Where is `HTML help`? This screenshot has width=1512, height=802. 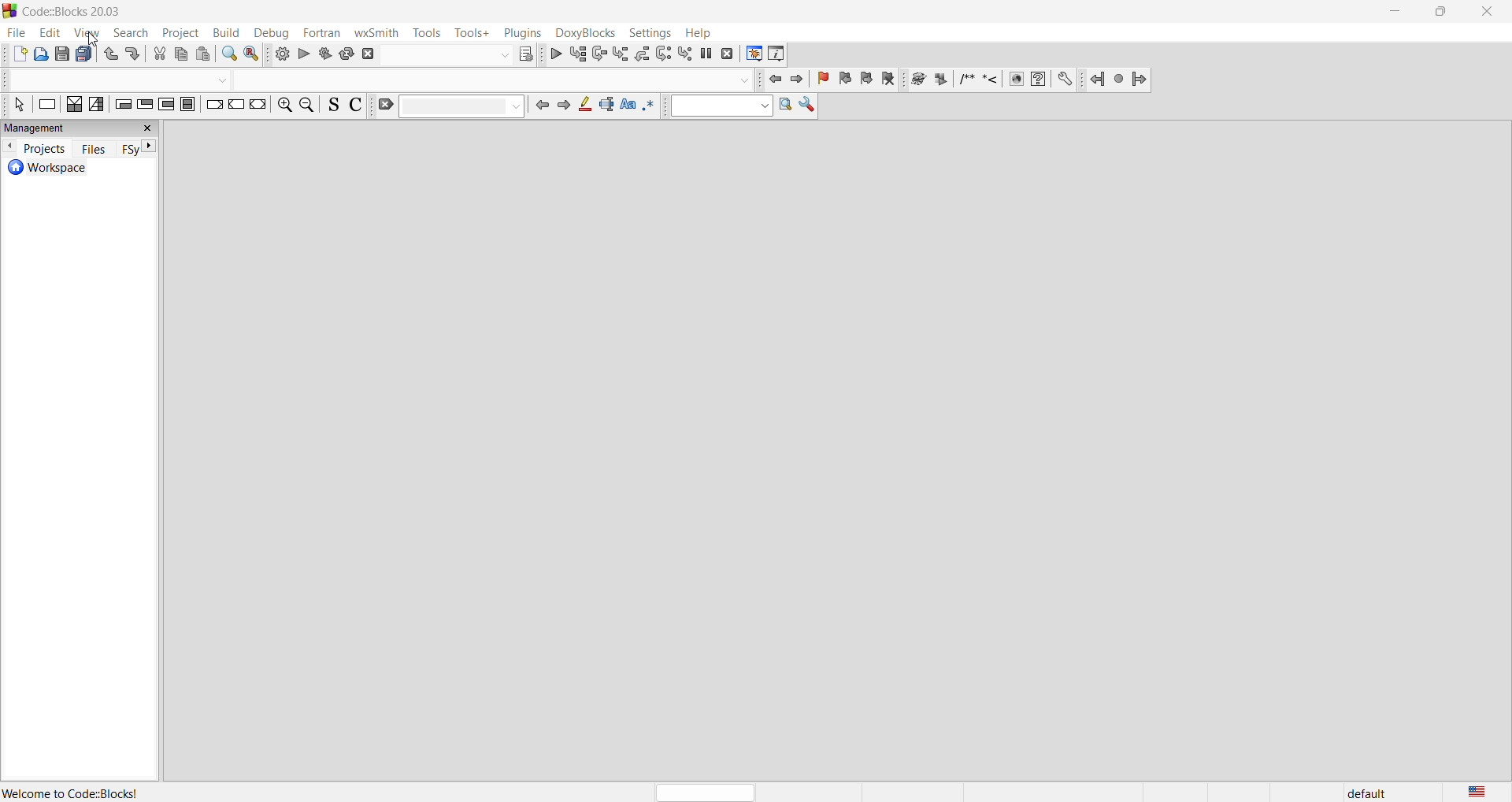 HTML help is located at coordinates (1039, 79).